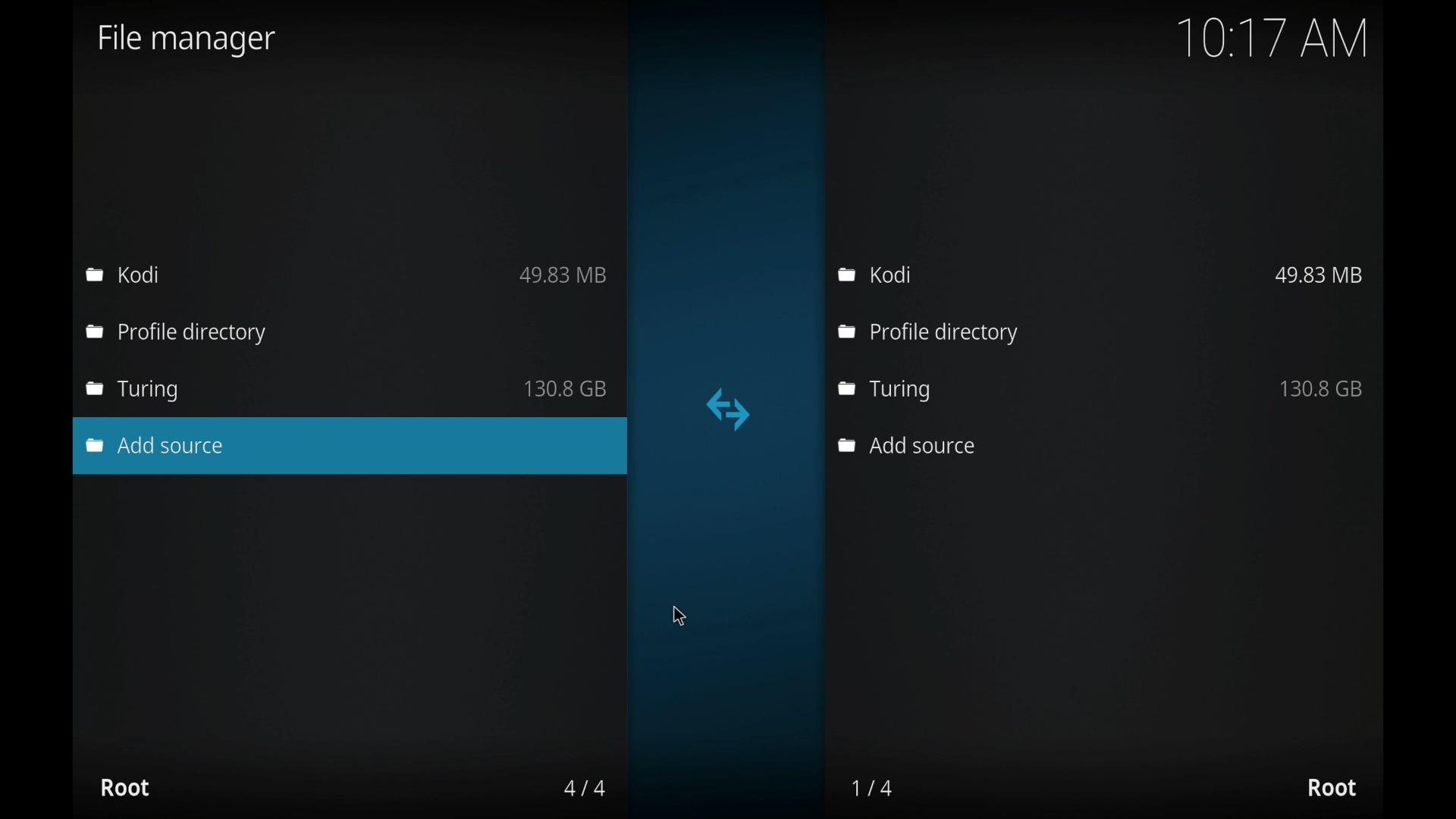 Image resolution: width=1456 pixels, height=819 pixels. Describe the element at coordinates (124, 787) in the screenshot. I see `root` at that location.